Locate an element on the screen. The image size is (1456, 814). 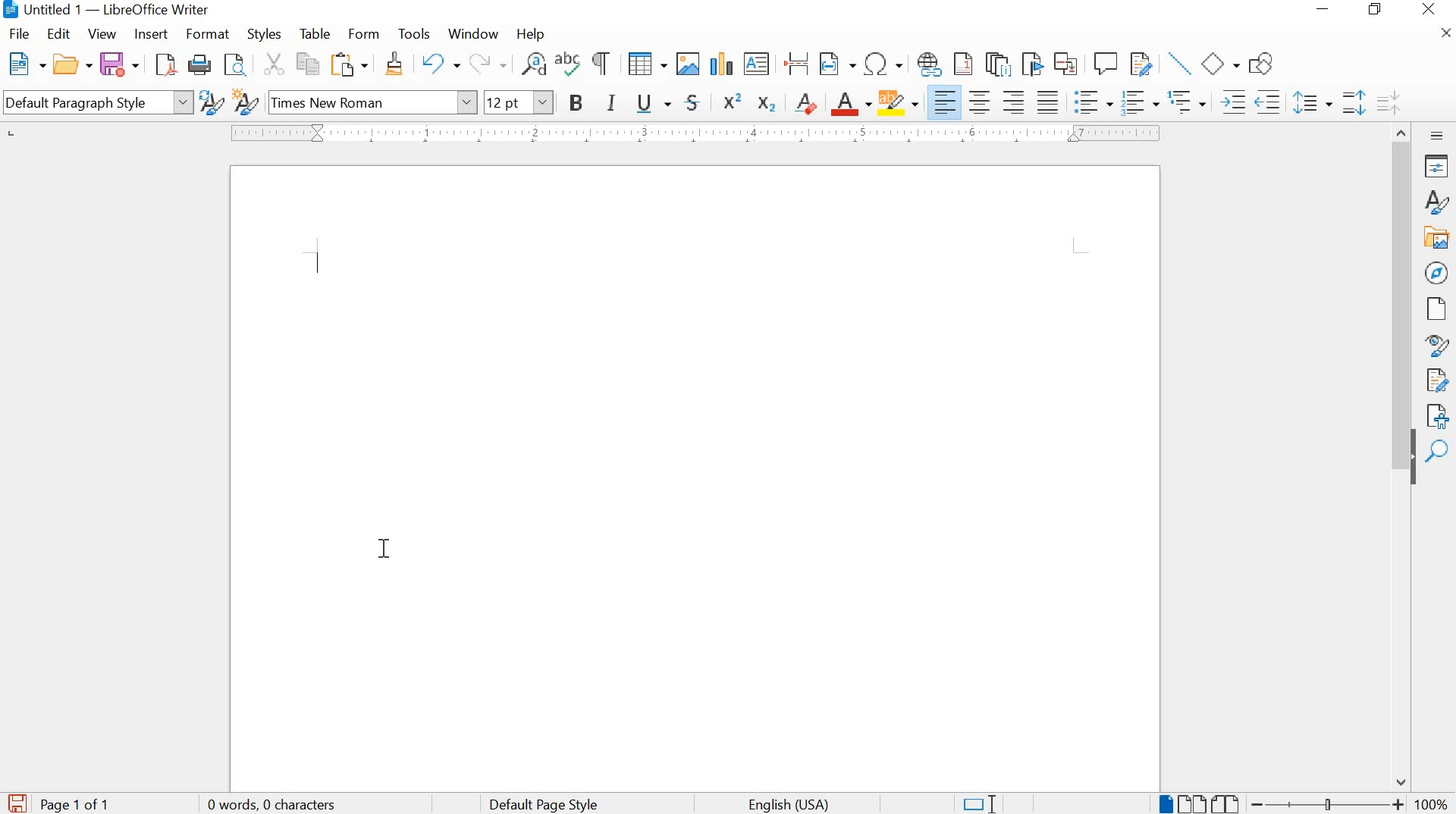
UNDO is located at coordinates (435, 66).